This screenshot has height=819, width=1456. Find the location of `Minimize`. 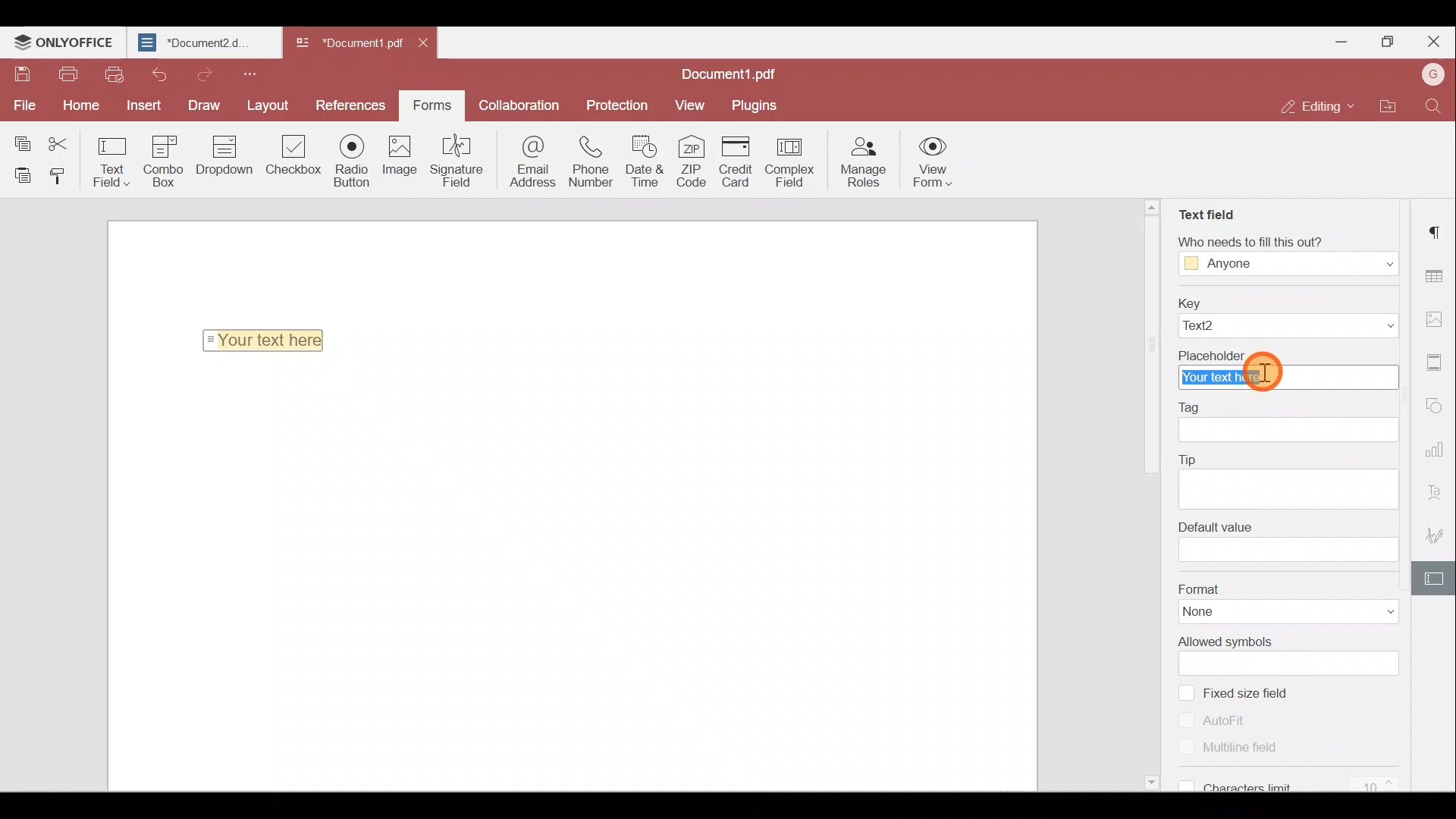

Minimize is located at coordinates (1343, 40).